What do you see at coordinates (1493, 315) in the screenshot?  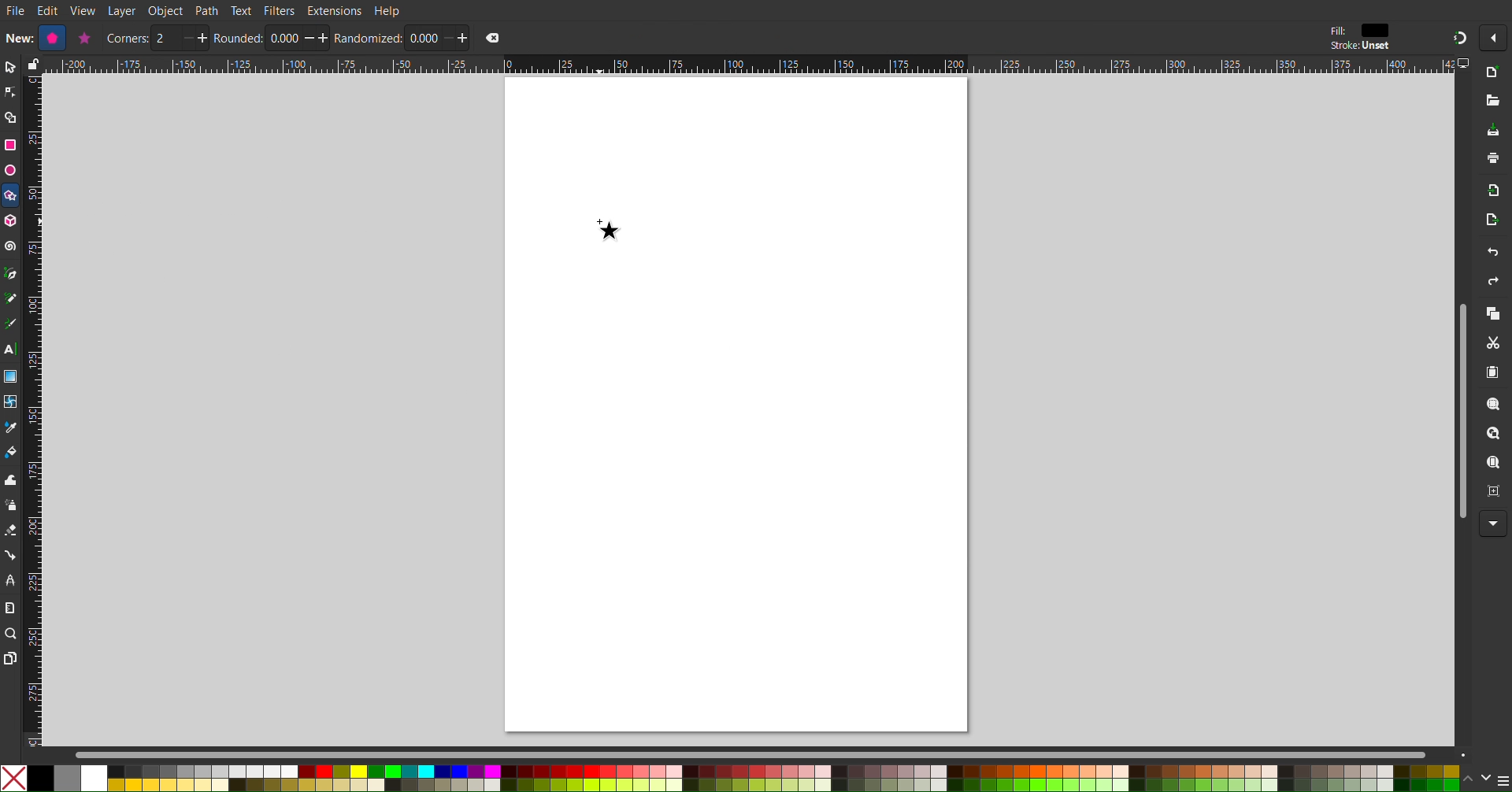 I see `Copy` at bounding box center [1493, 315].